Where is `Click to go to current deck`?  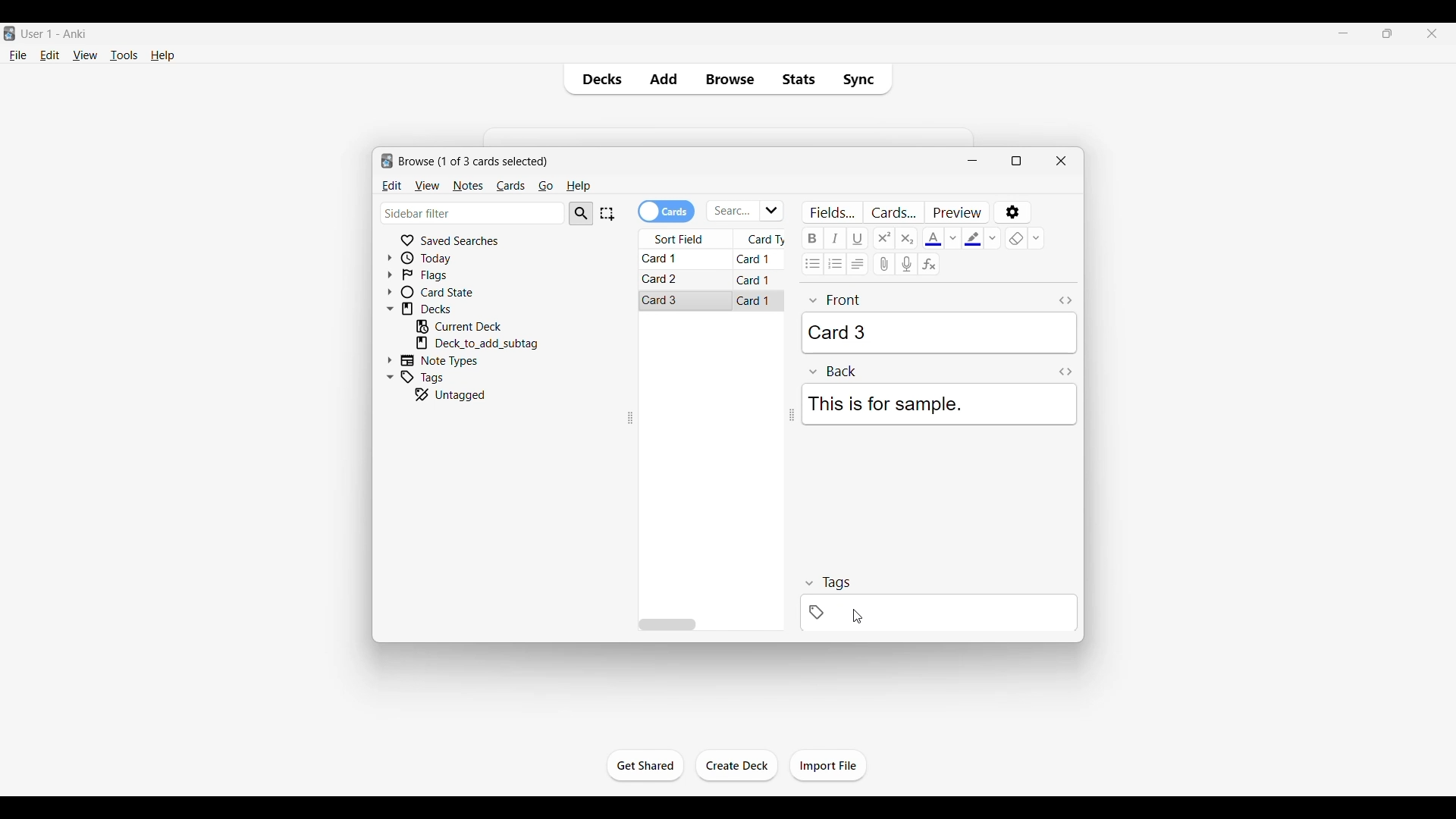 Click to go to current deck is located at coordinates (469, 326).